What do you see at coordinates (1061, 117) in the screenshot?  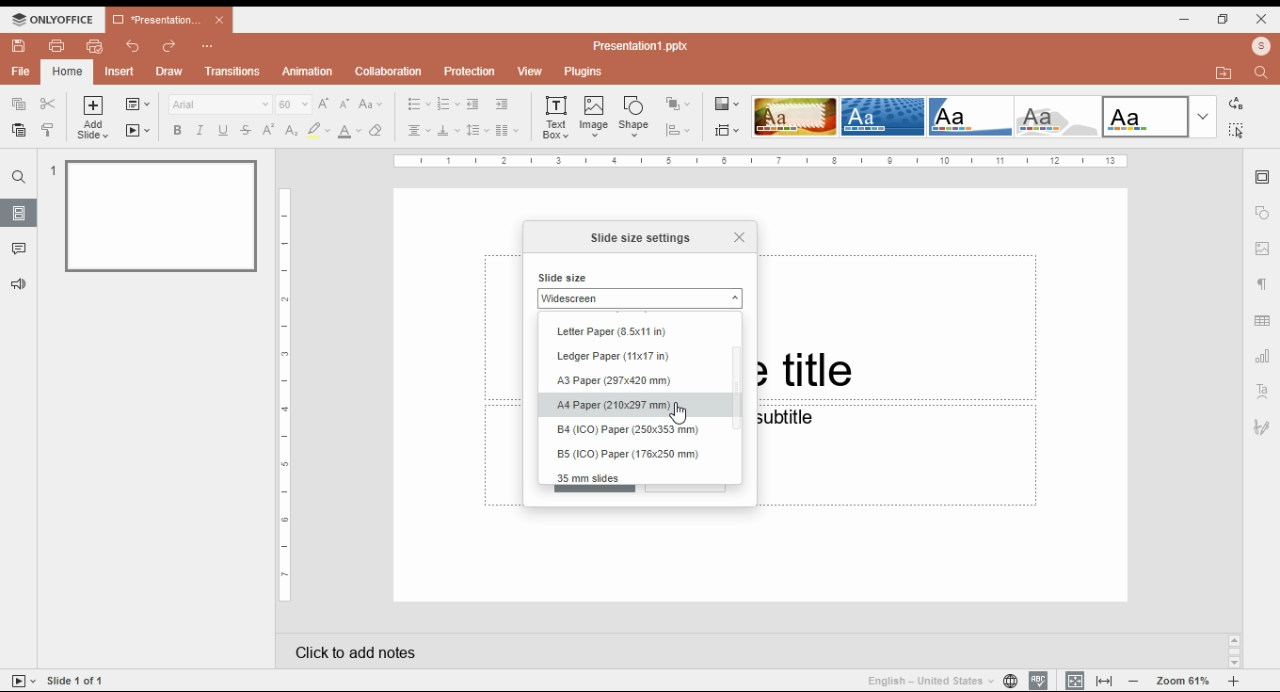 I see `slide them option` at bounding box center [1061, 117].